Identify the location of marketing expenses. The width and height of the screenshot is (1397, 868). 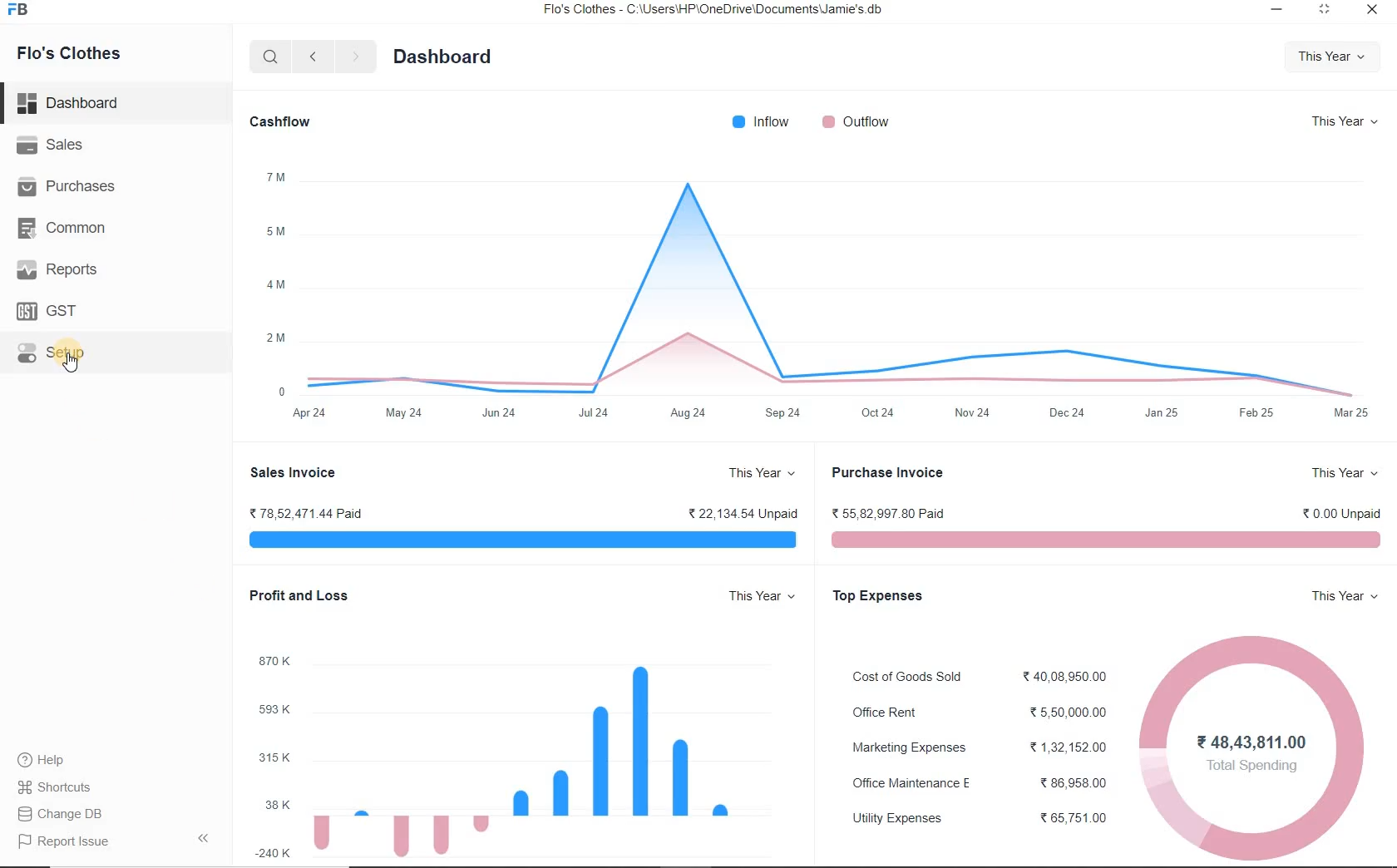
(905, 749).